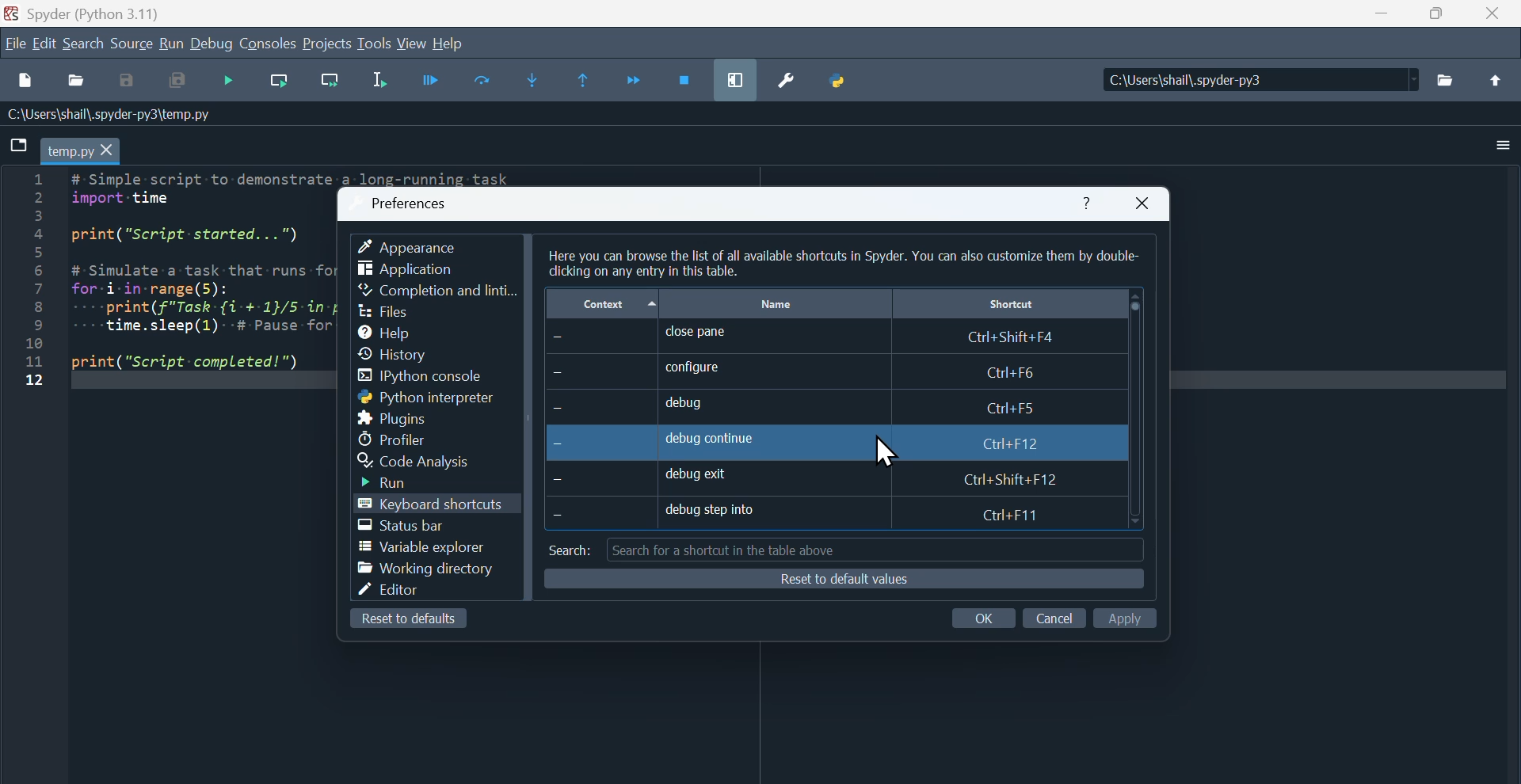  What do you see at coordinates (132, 45) in the screenshot?
I see `Source` at bounding box center [132, 45].